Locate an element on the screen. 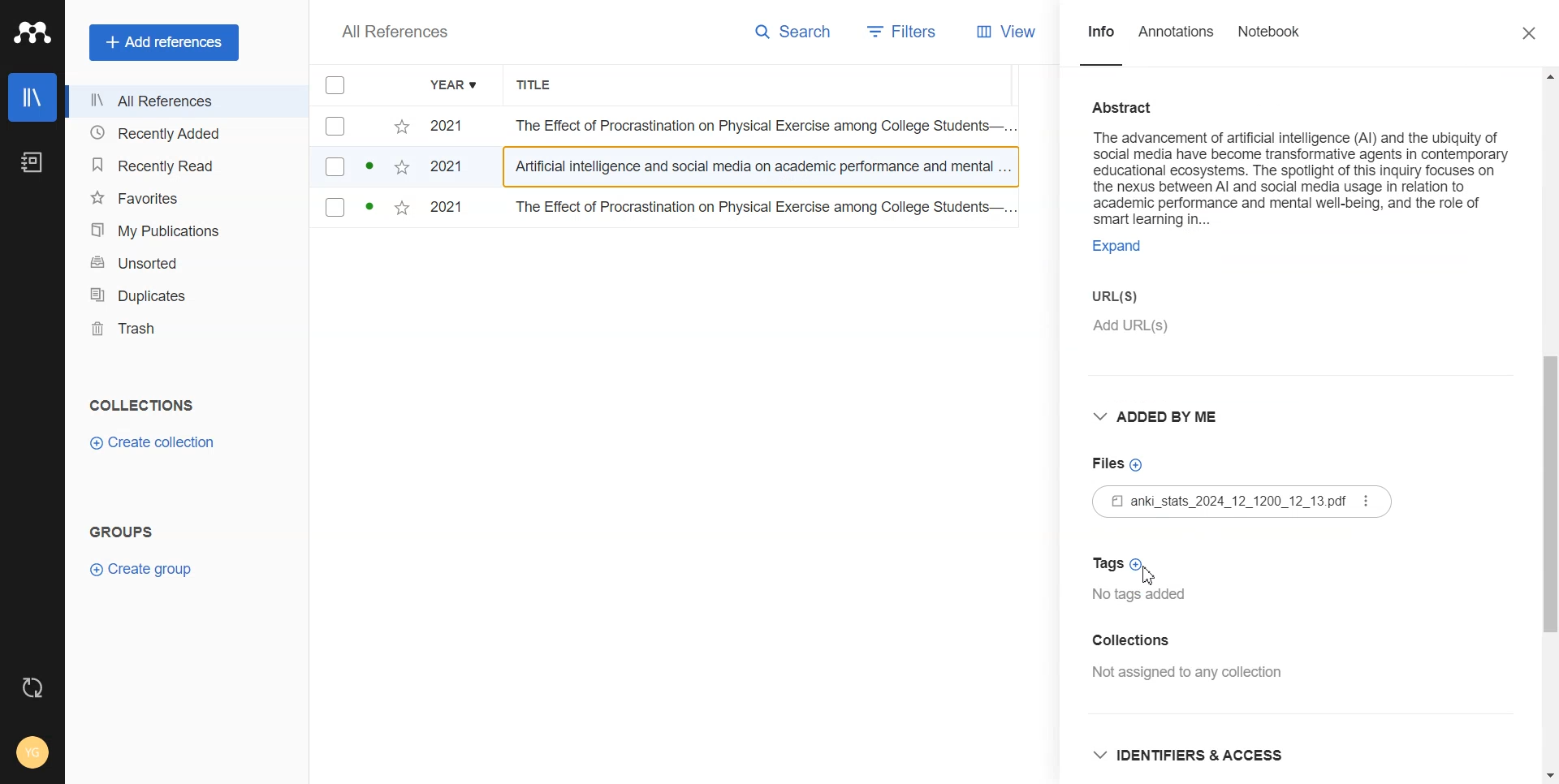 This screenshot has height=784, width=1559. Add collection is located at coordinates (1193, 644).